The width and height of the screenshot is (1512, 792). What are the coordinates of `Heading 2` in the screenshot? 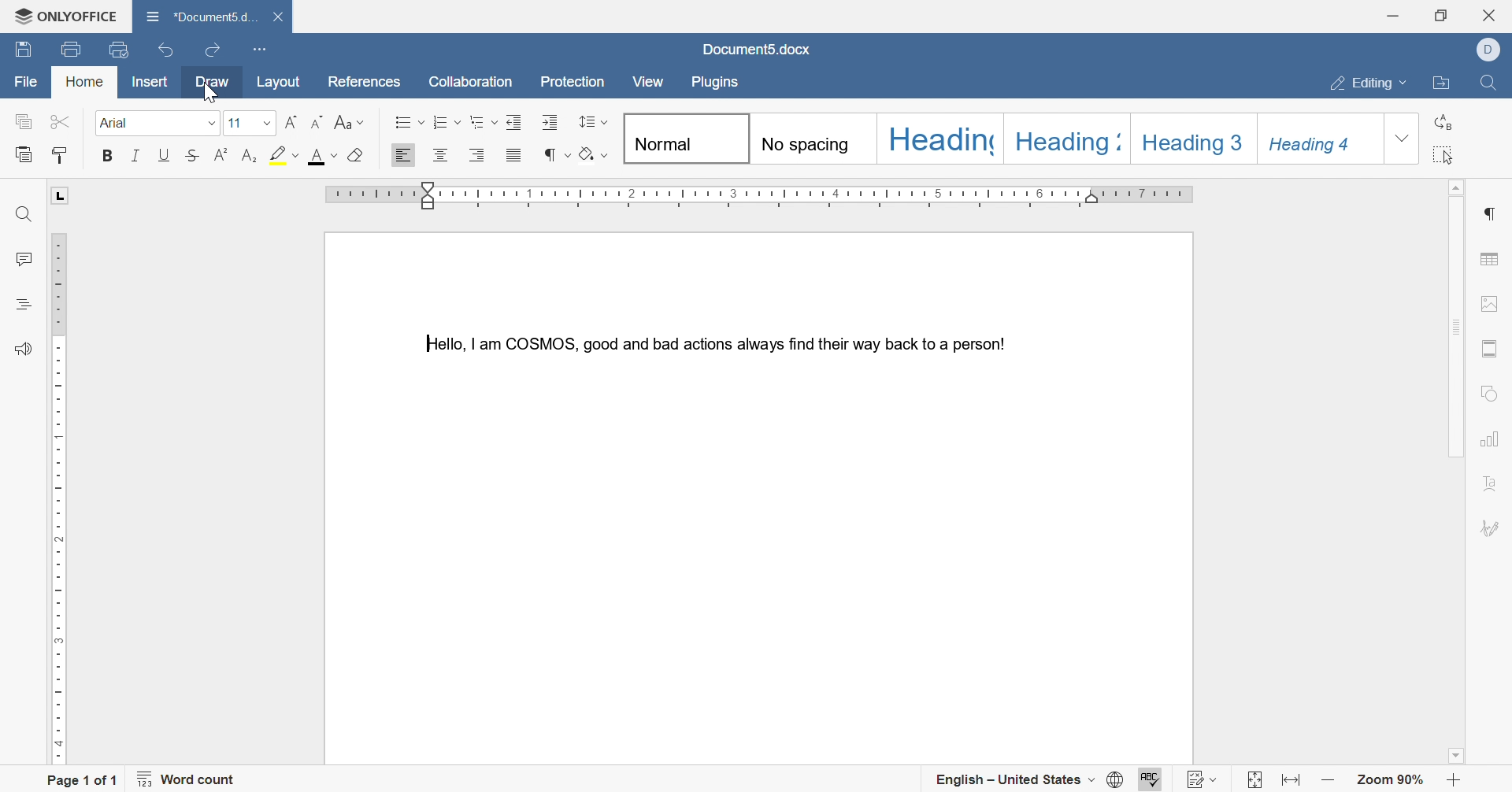 It's located at (1068, 139).